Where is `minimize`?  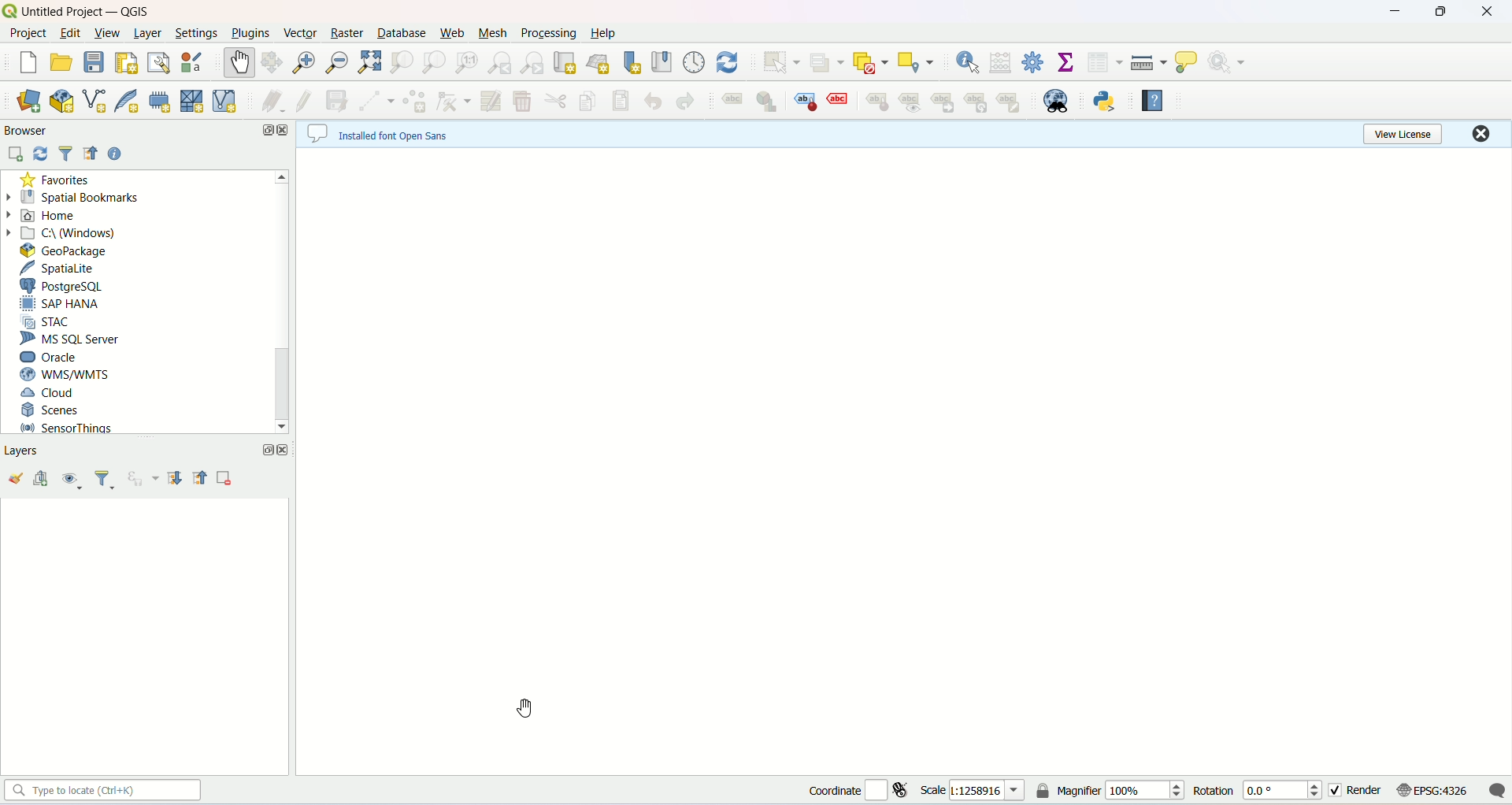 minimize is located at coordinates (1392, 16).